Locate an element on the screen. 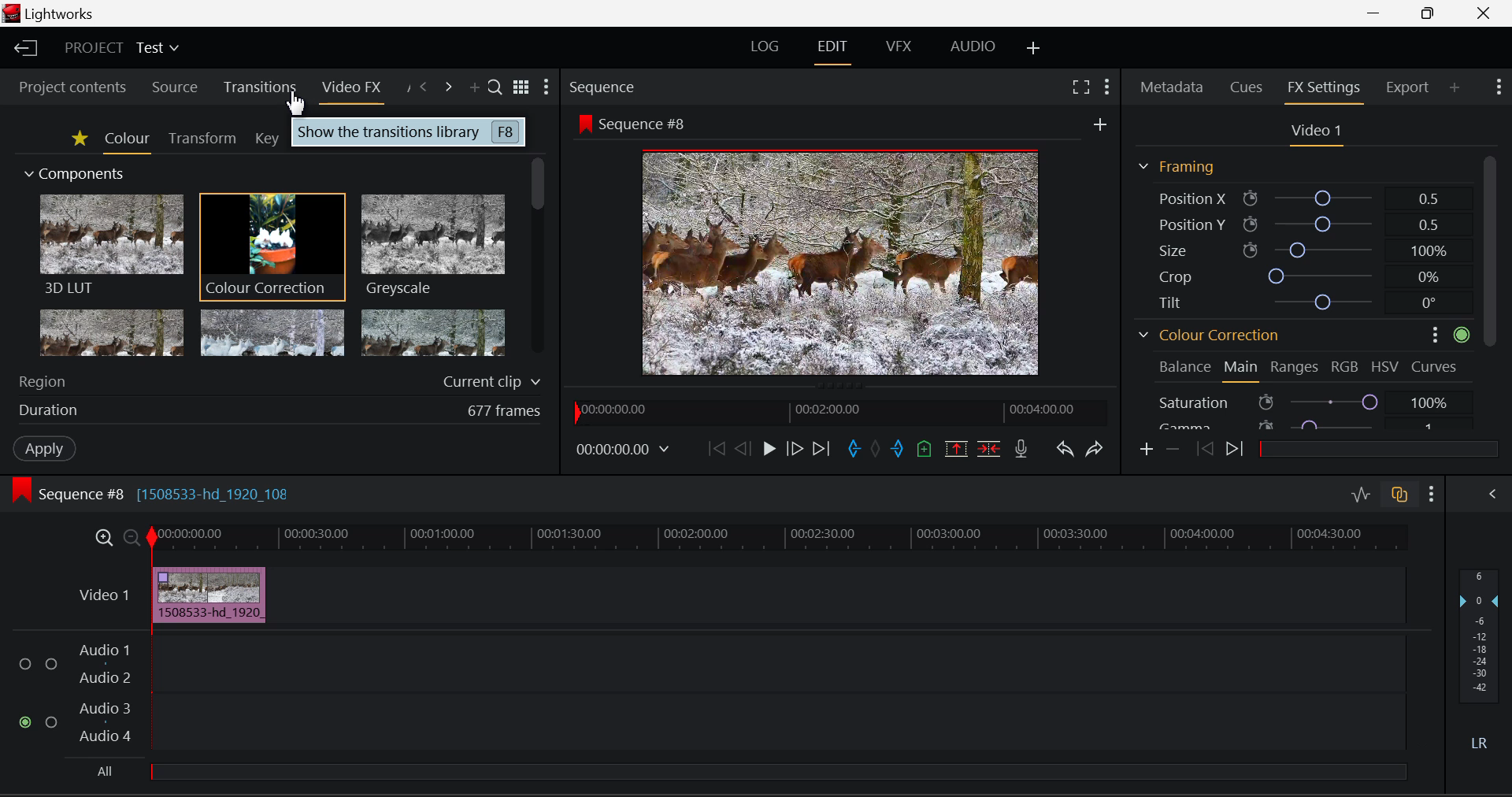 Image resolution: width=1512 pixels, height=797 pixels. Mosaic is located at coordinates (270, 332).